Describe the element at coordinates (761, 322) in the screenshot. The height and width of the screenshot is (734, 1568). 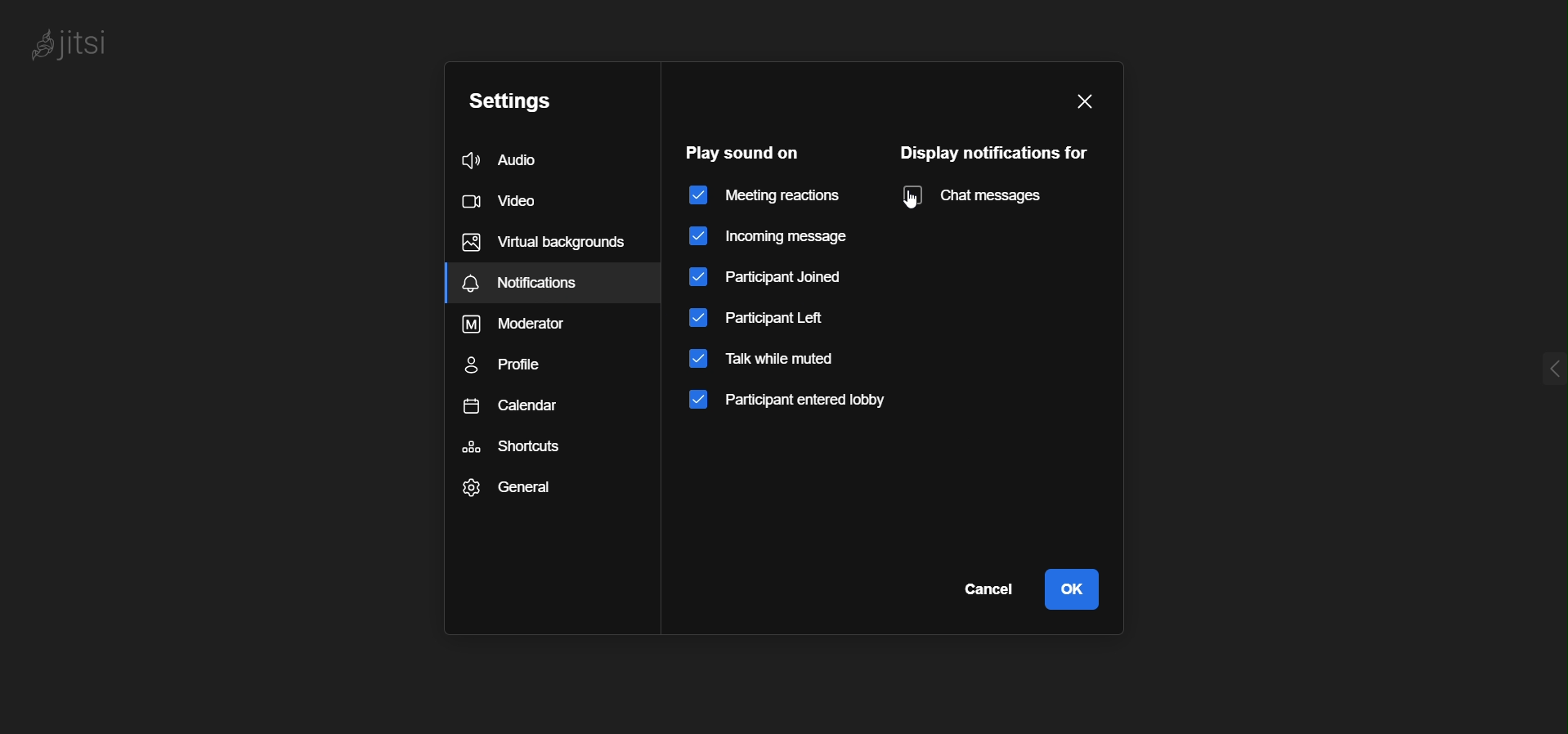
I see `participant left` at that location.